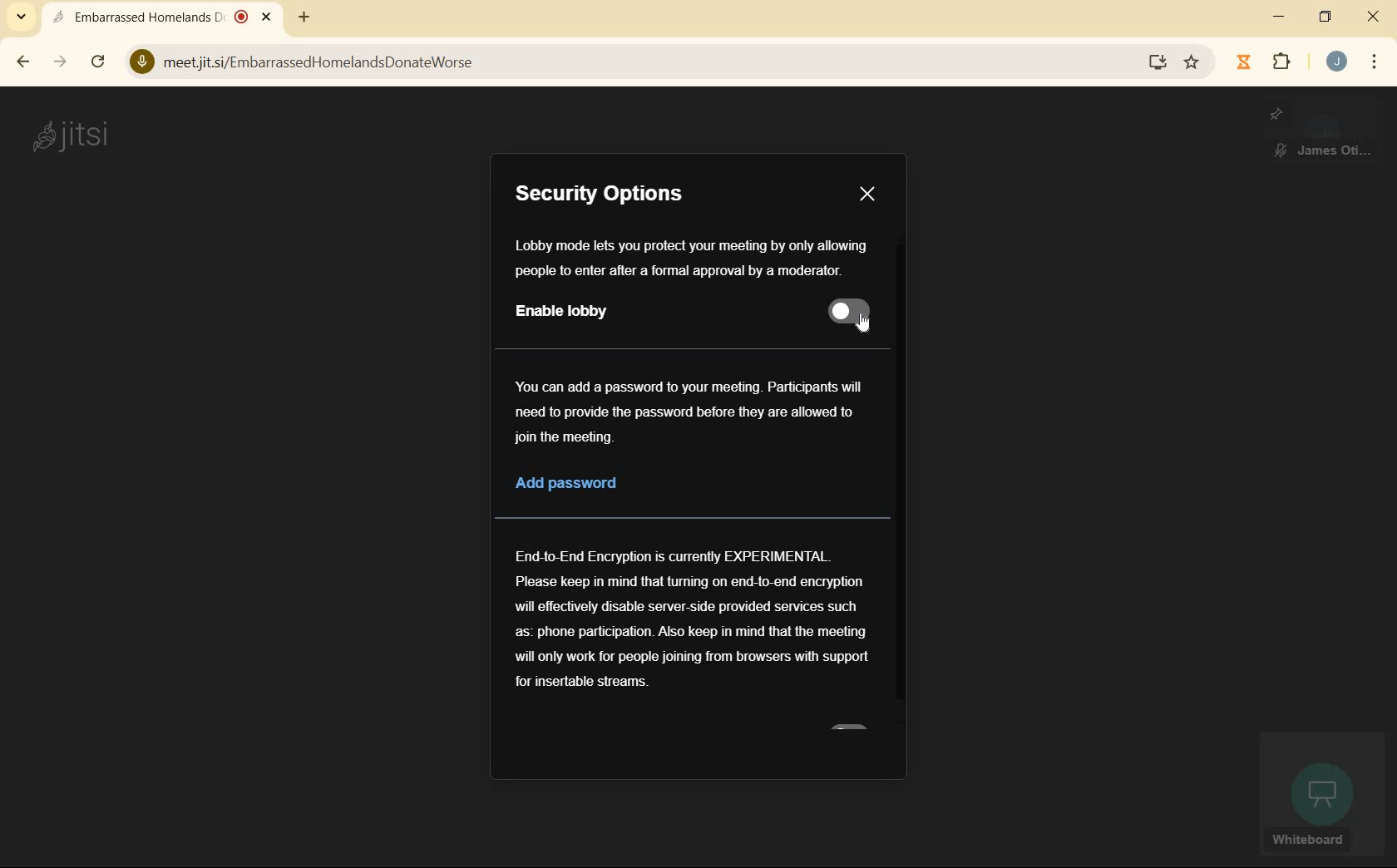 This screenshot has height=868, width=1397. Describe the element at coordinates (901, 476) in the screenshot. I see `scrollbar` at that location.